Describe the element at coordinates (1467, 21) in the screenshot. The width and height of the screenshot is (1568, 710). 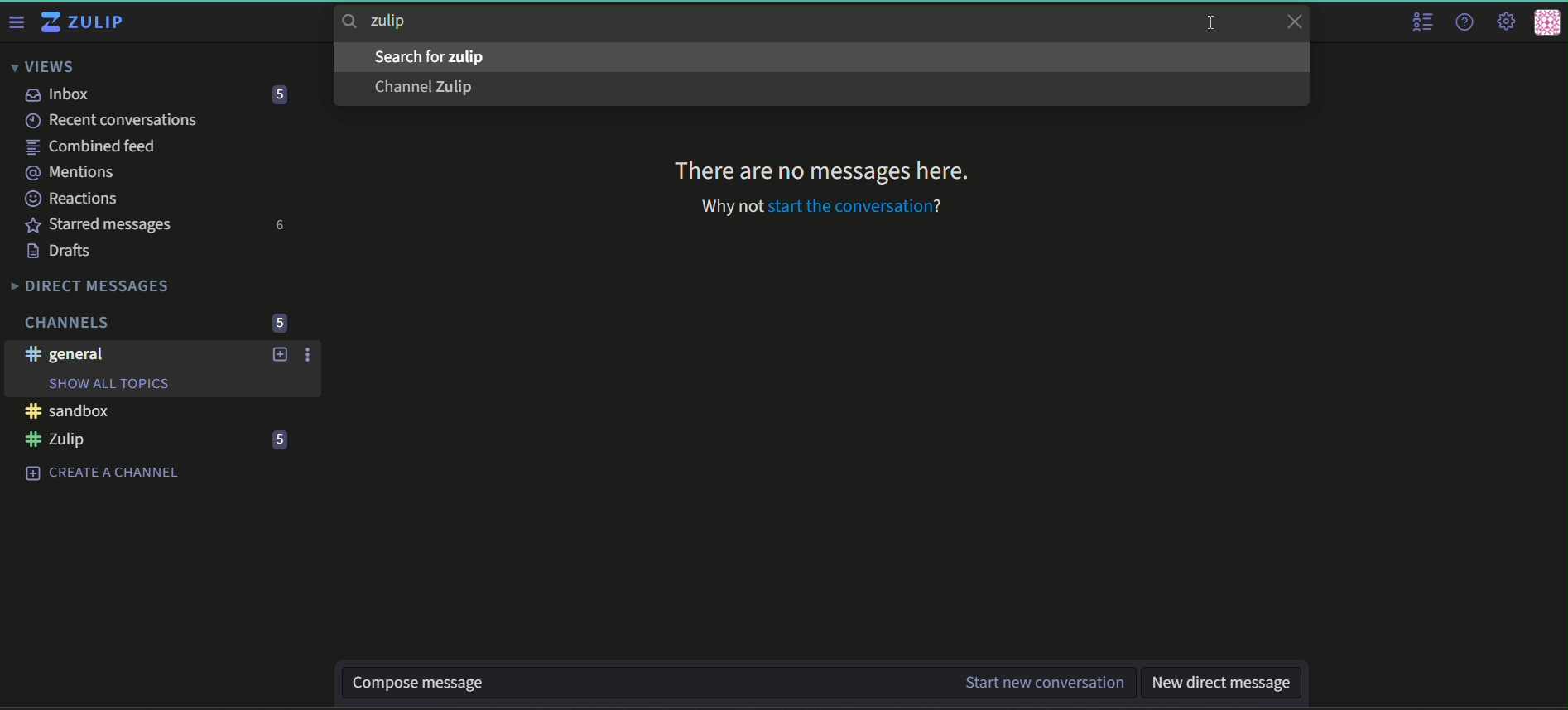
I see `help menu` at that location.